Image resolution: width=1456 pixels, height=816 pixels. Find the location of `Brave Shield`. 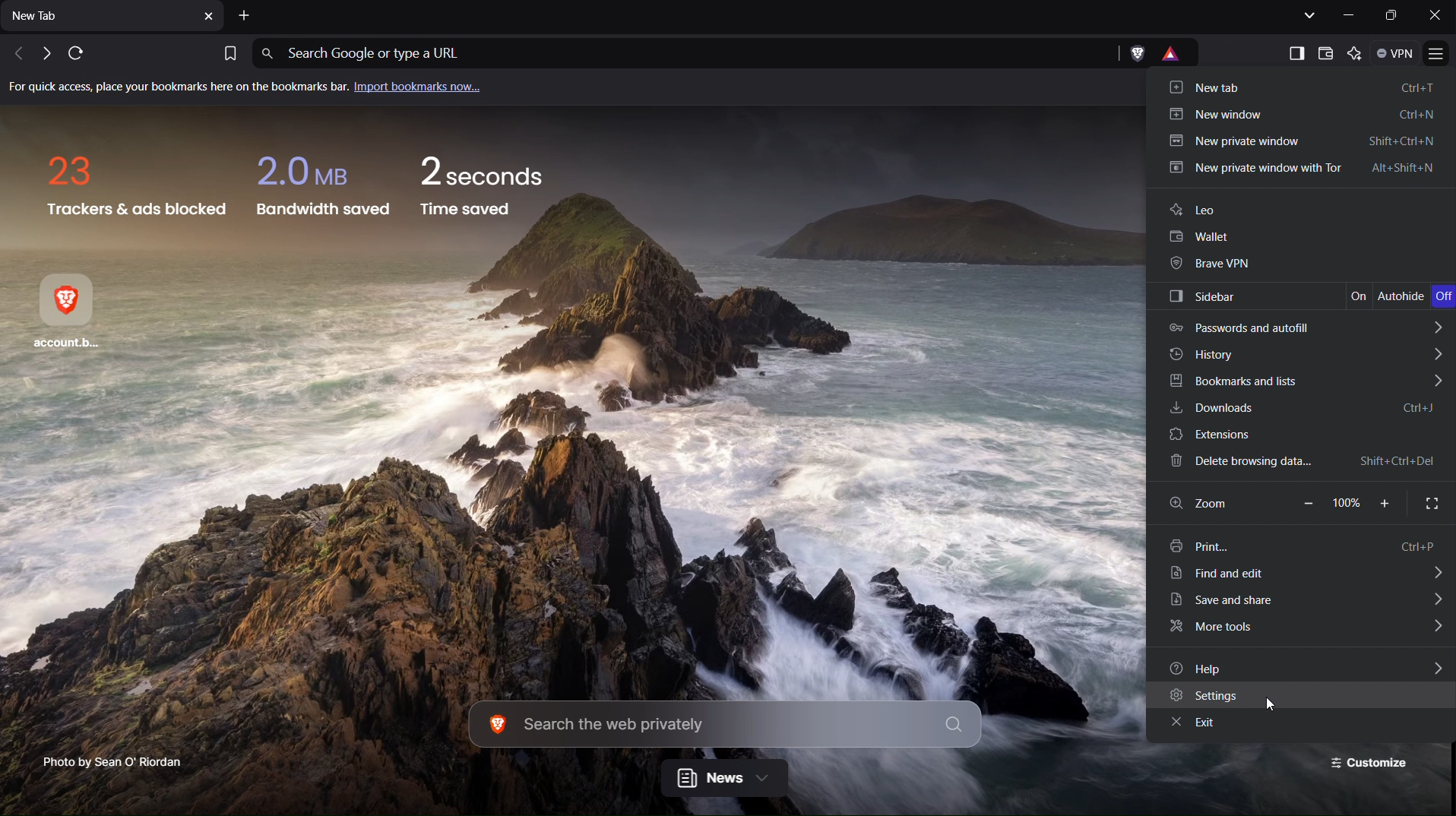

Brave Shield is located at coordinates (1137, 54).